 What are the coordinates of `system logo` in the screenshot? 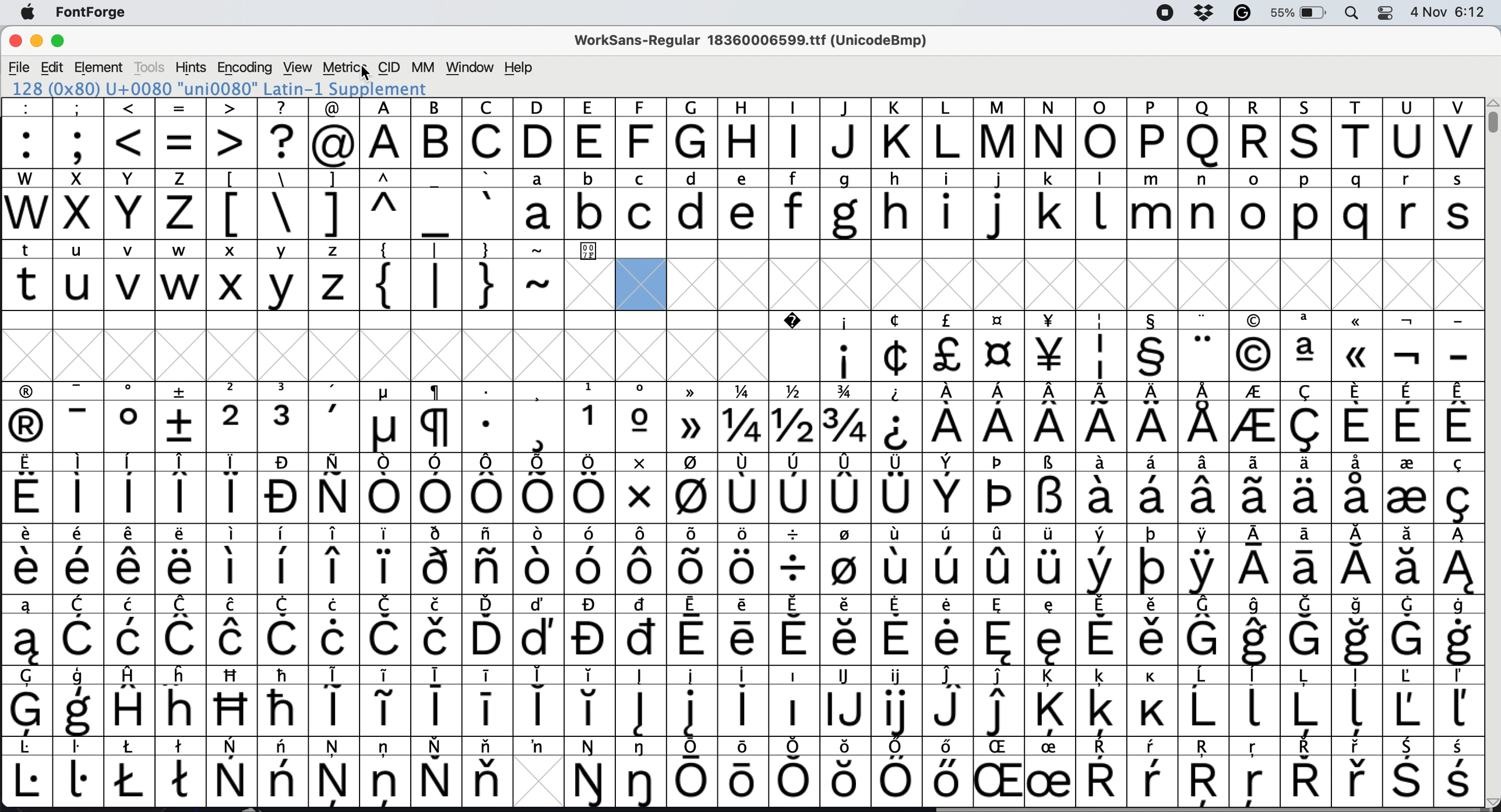 It's located at (28, 12).